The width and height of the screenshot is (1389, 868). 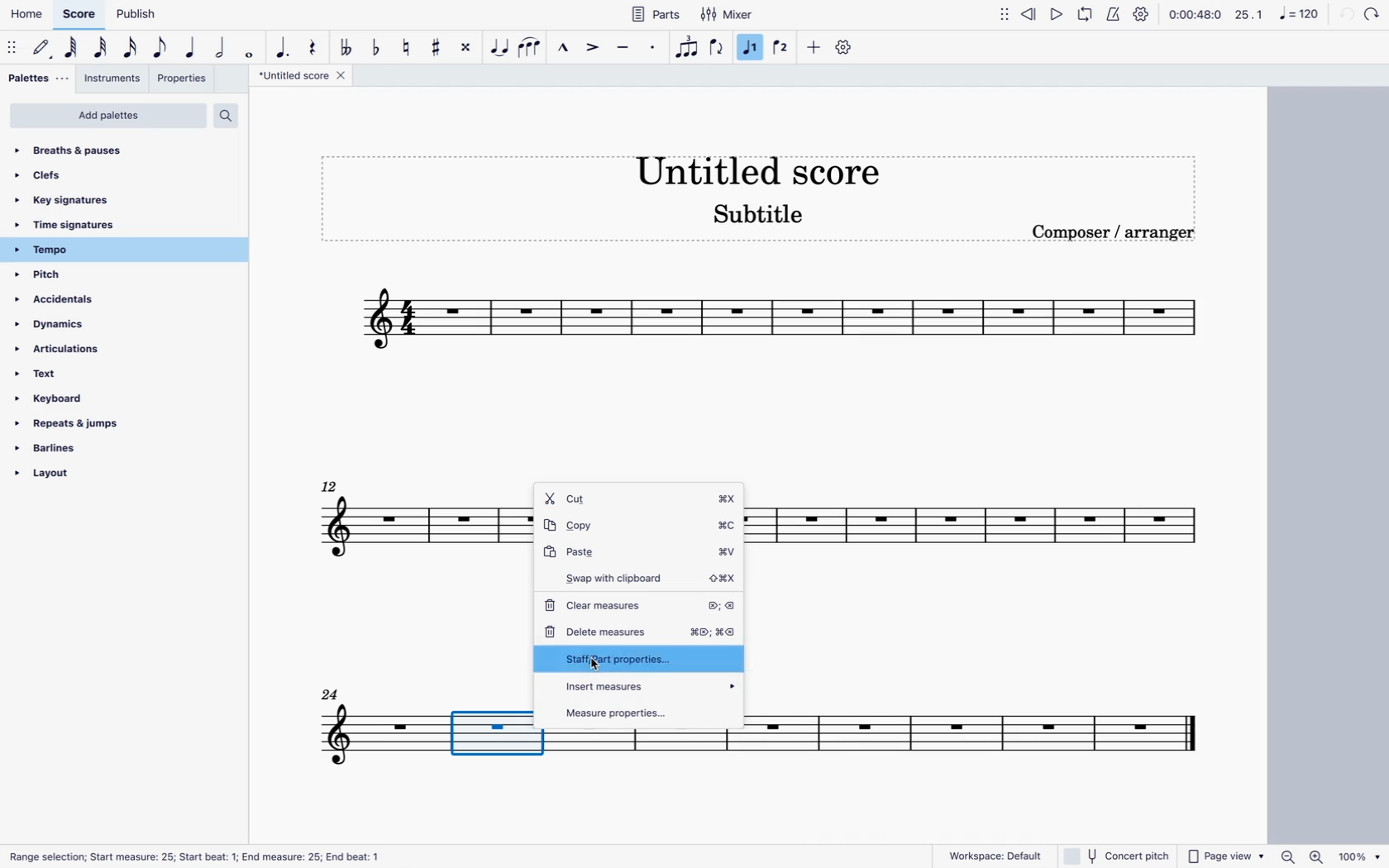 I want to click on forward, so click(x=1372, y=13).